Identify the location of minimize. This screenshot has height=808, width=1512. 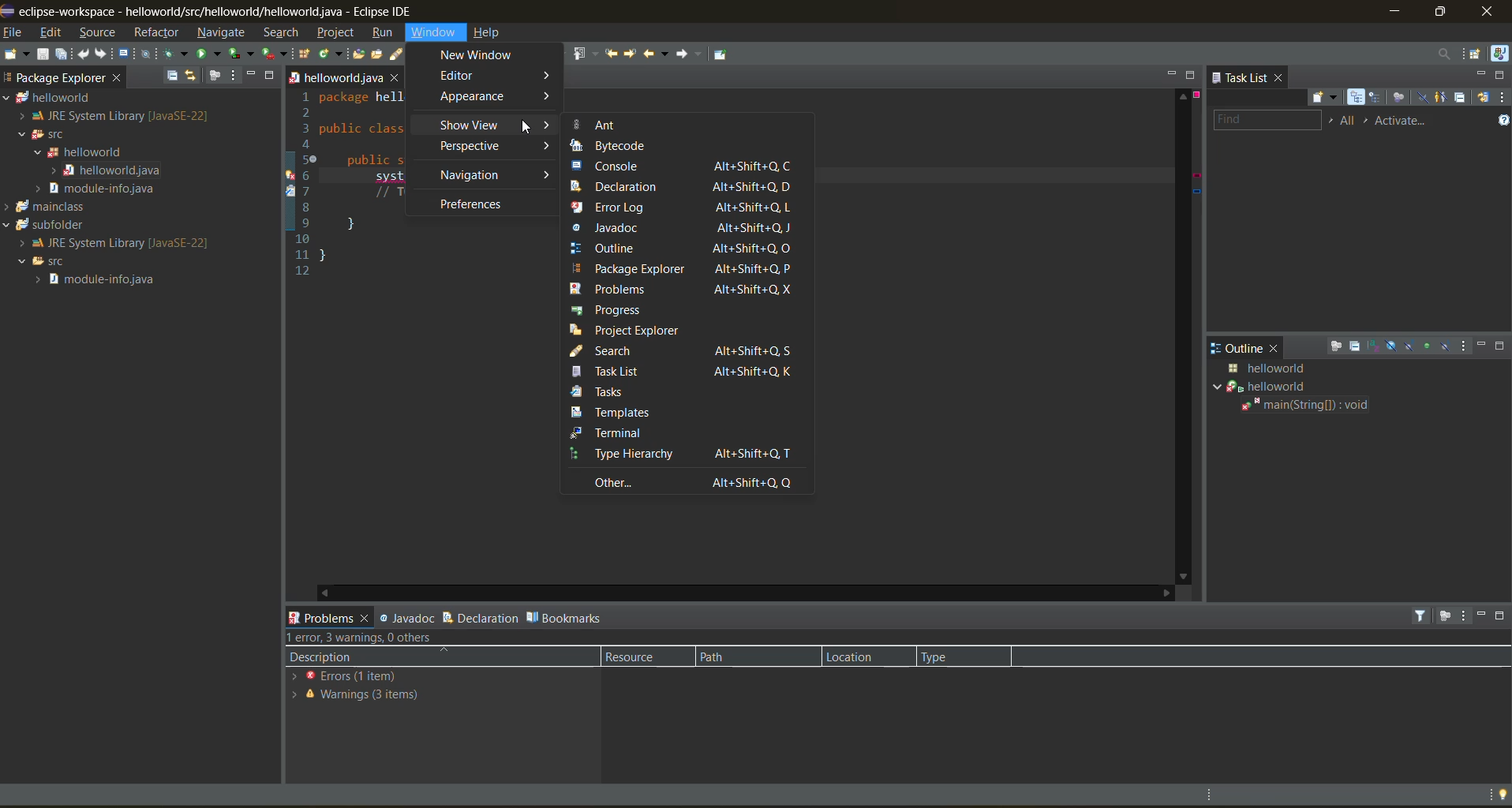
(1481, 73).